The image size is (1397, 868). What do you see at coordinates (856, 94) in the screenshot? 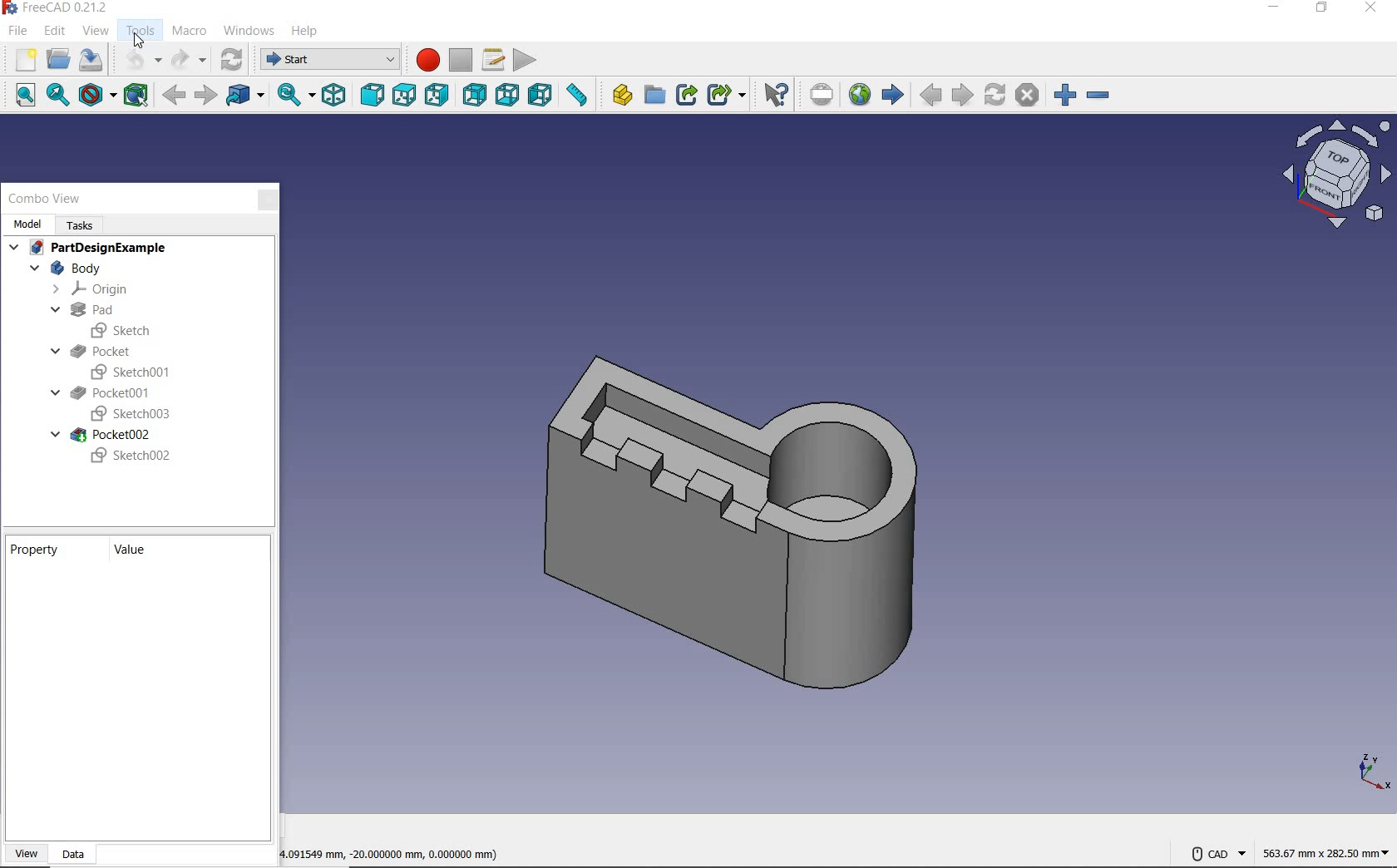
I see `Open website` at bounding box center [856, 94].